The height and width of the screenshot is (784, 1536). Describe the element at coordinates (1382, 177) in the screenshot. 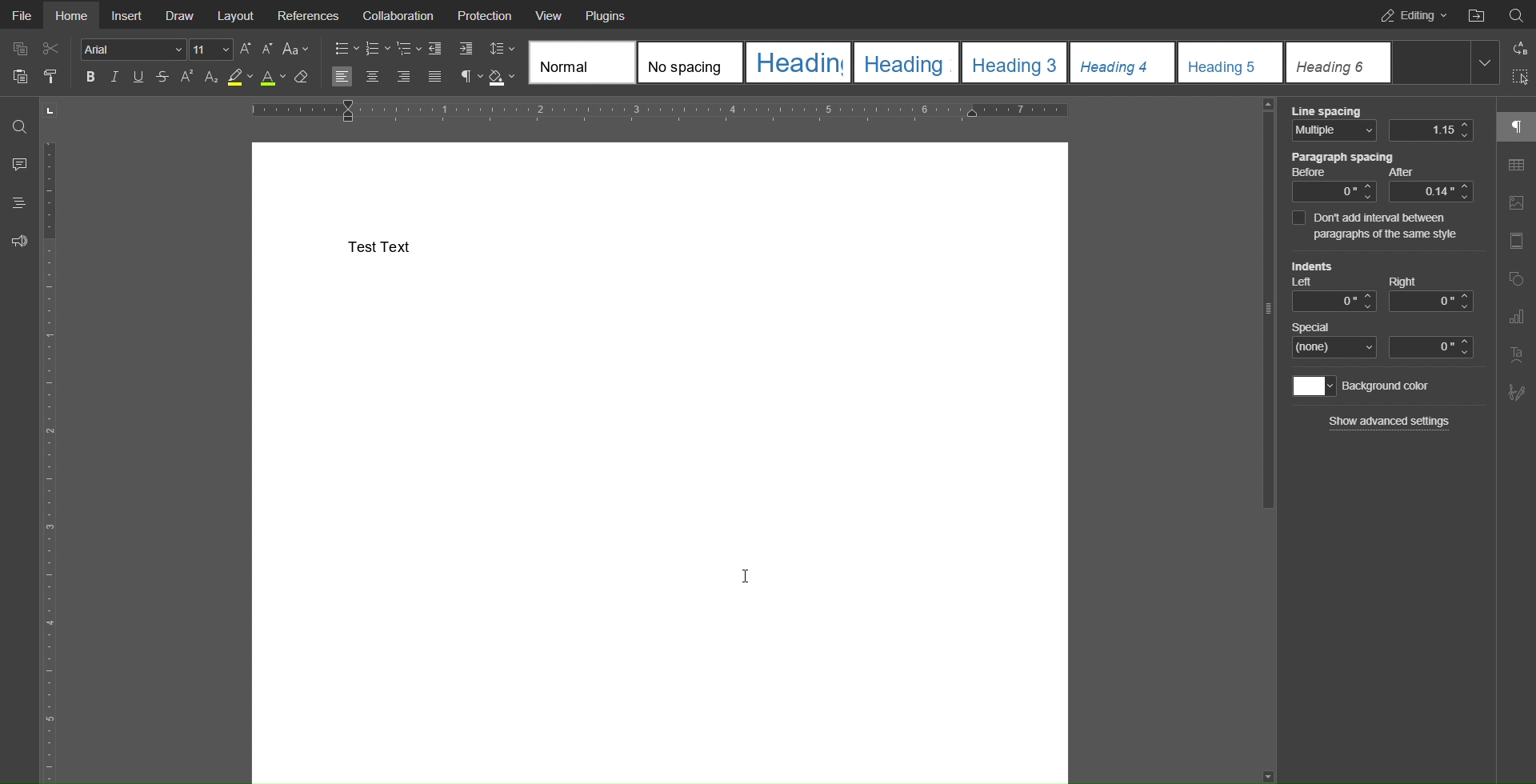

I see `Paragraph spacing` at that location.